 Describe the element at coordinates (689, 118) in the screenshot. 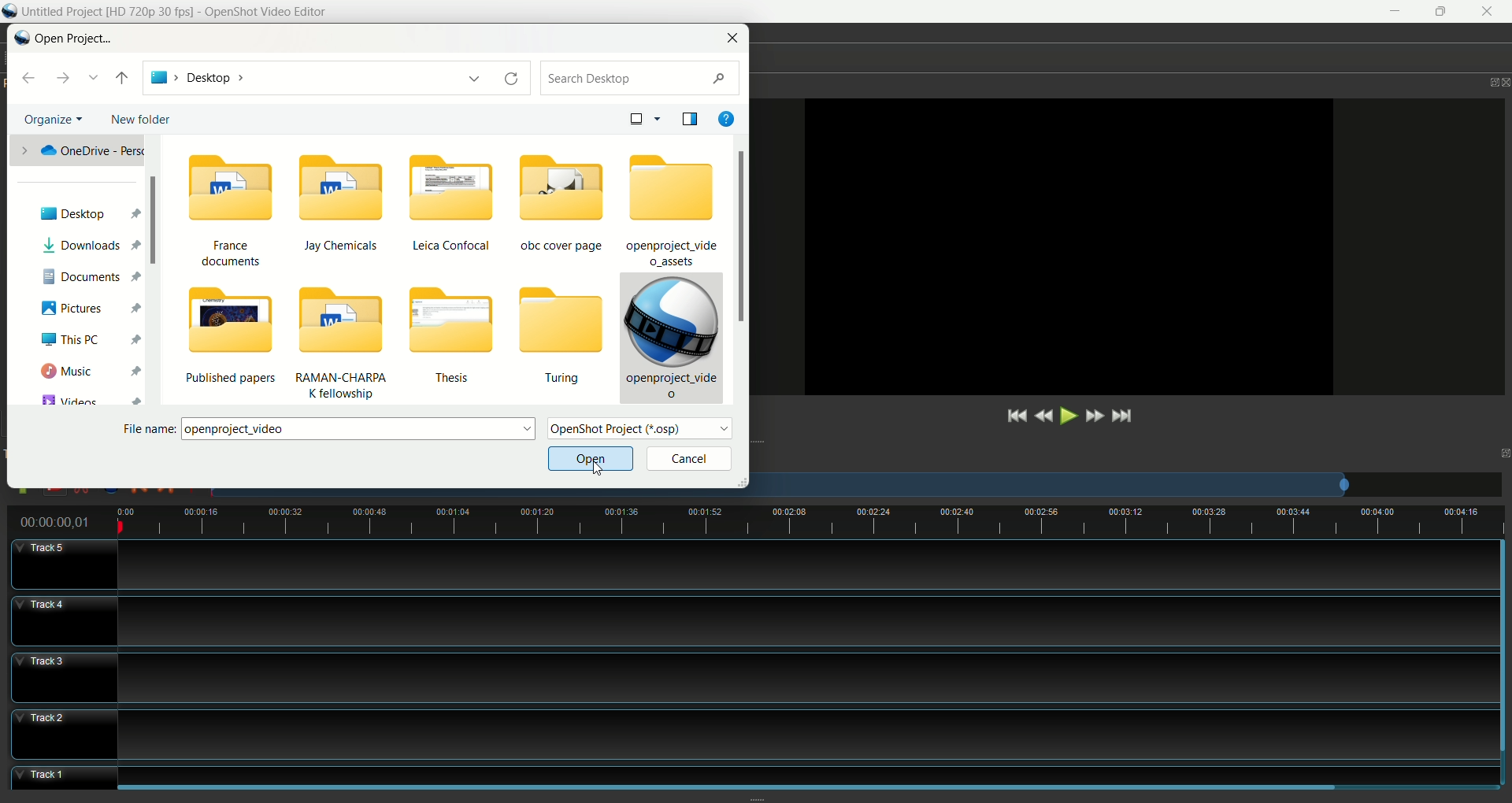

I see `preview pane` at that location.